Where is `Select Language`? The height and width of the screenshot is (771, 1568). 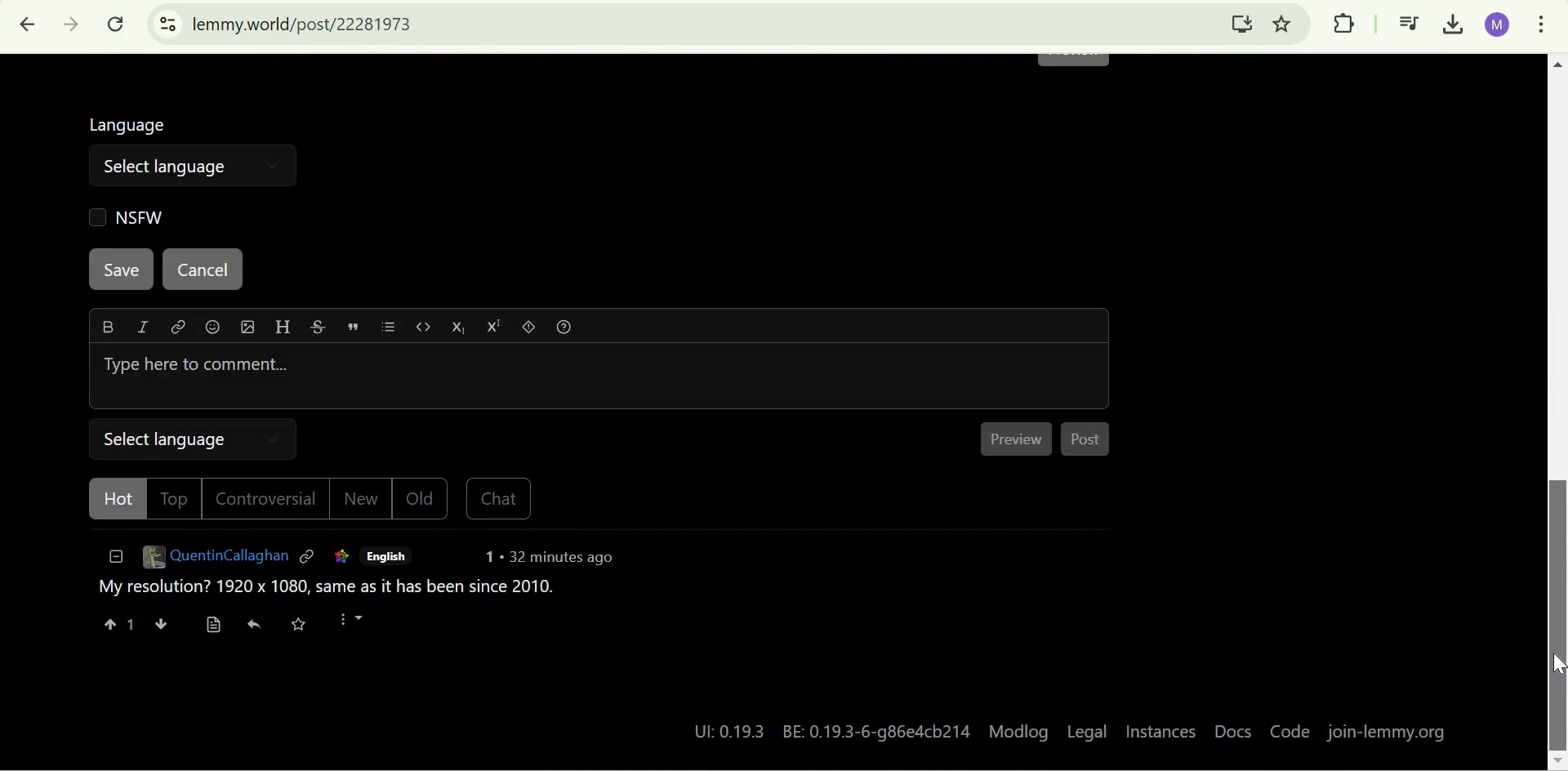
Select Language is located at coordinates (194, 438).